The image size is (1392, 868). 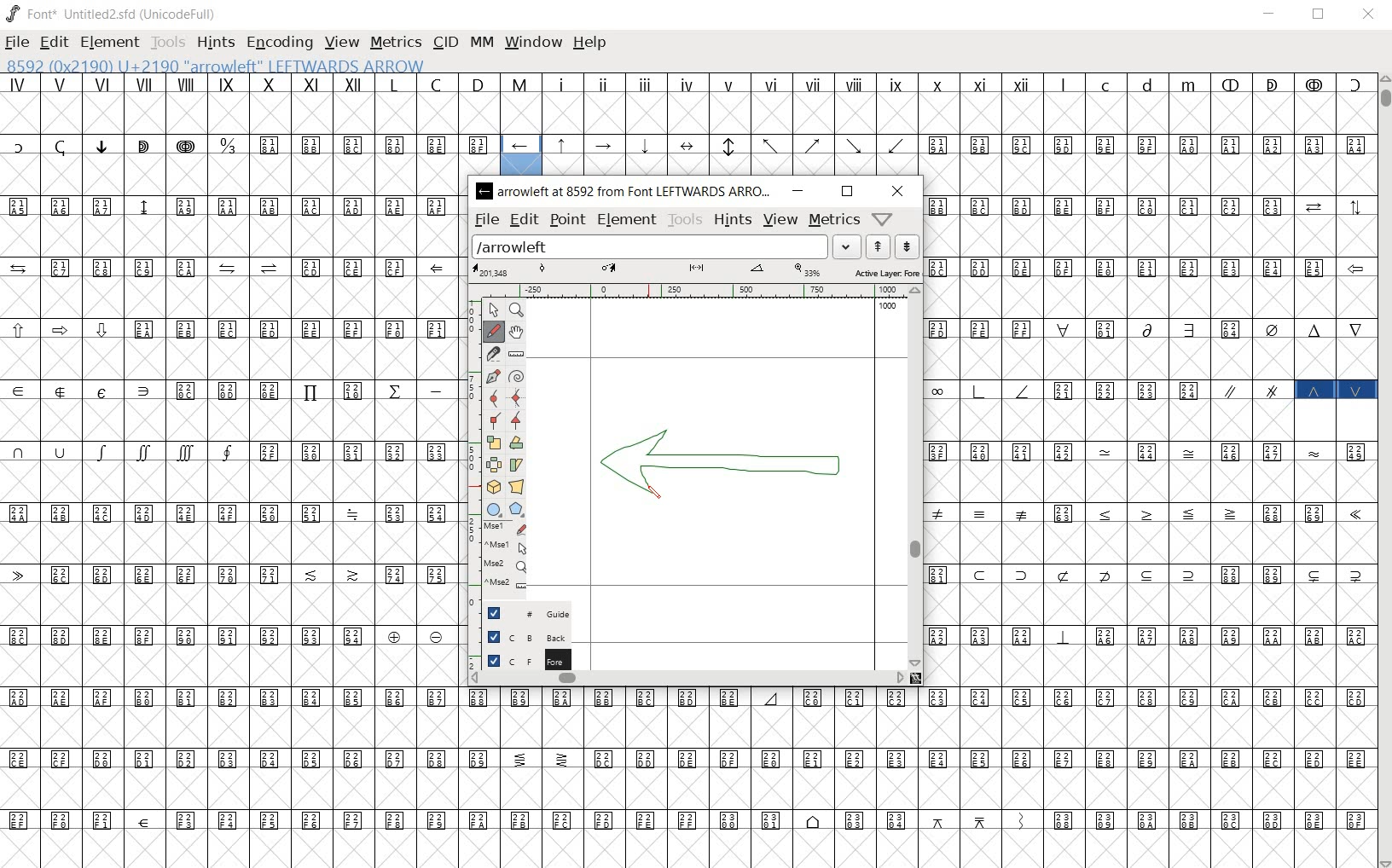 I want to click on scroll by hand, so click(x=517, y=333).